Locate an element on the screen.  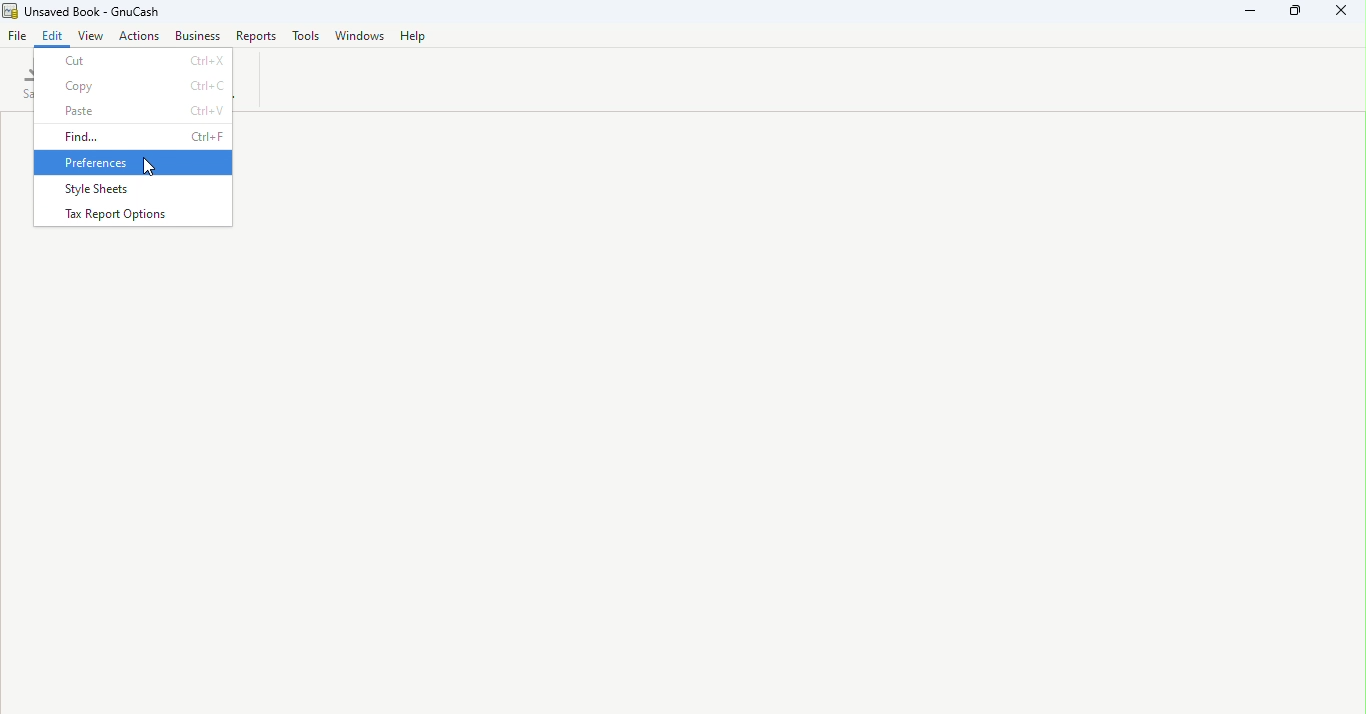
Maximize is located at coordinates (1297, 14).